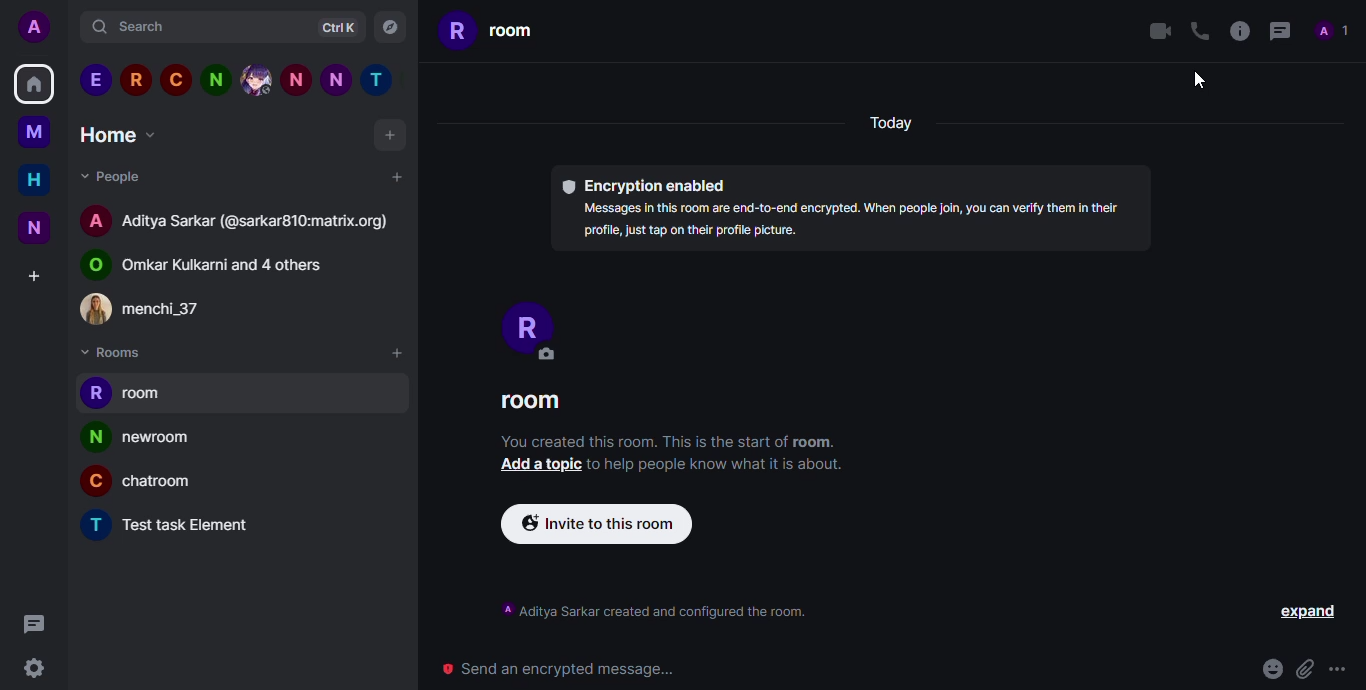 Image resolution: width=1366 pixels, height=690 pixels. What do you see at coordinates (649, 184) in the screenshot?
I see `encryption enabled` at bounding box center [649, 184].